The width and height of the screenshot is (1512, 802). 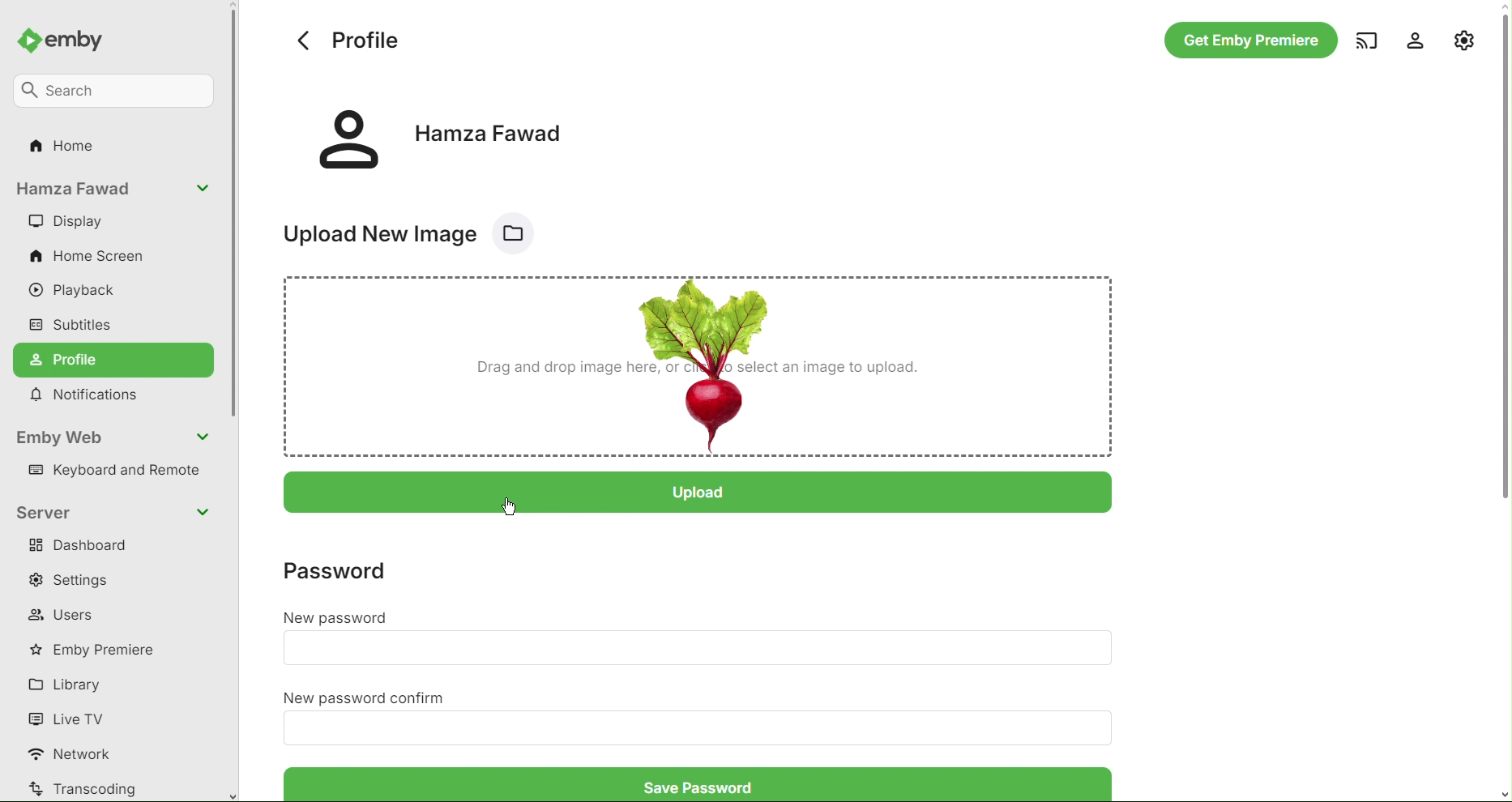 I want to click on Account, so click(x=1409, y=40).